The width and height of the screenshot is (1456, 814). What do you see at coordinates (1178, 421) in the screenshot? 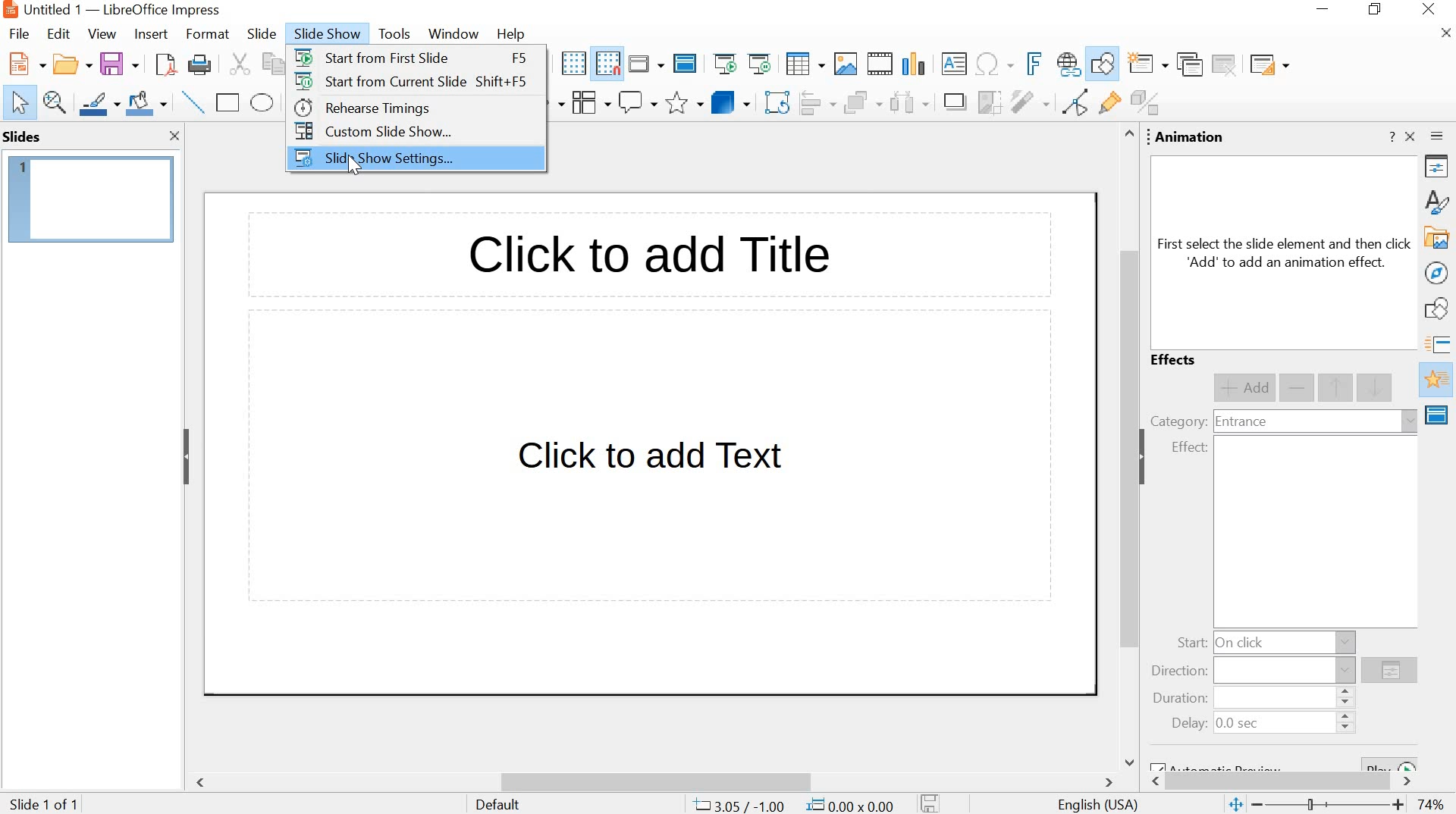
I see `category` at bounding box center [1178, 421].